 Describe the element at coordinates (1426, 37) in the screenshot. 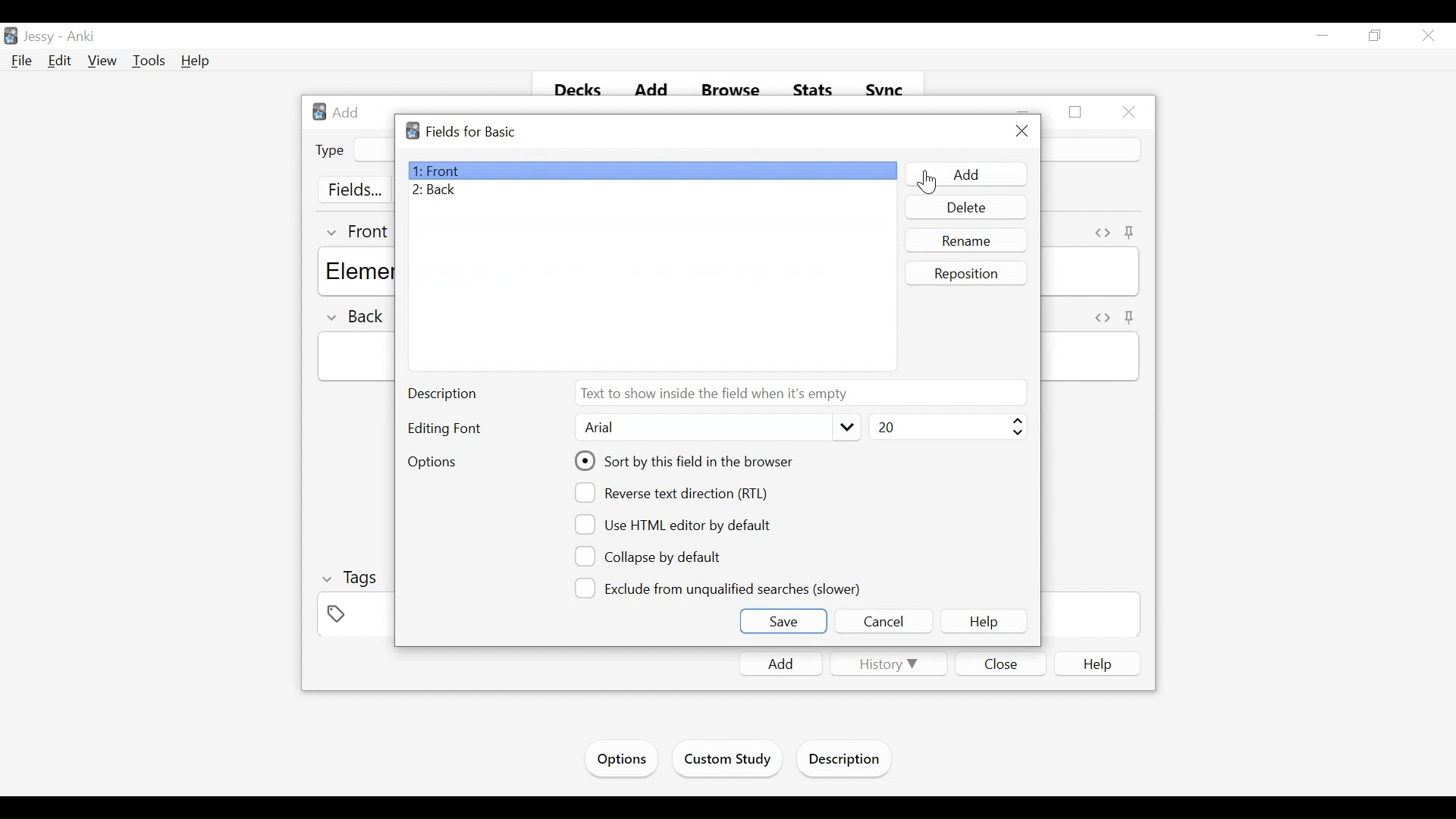

I see `Close` at that location.